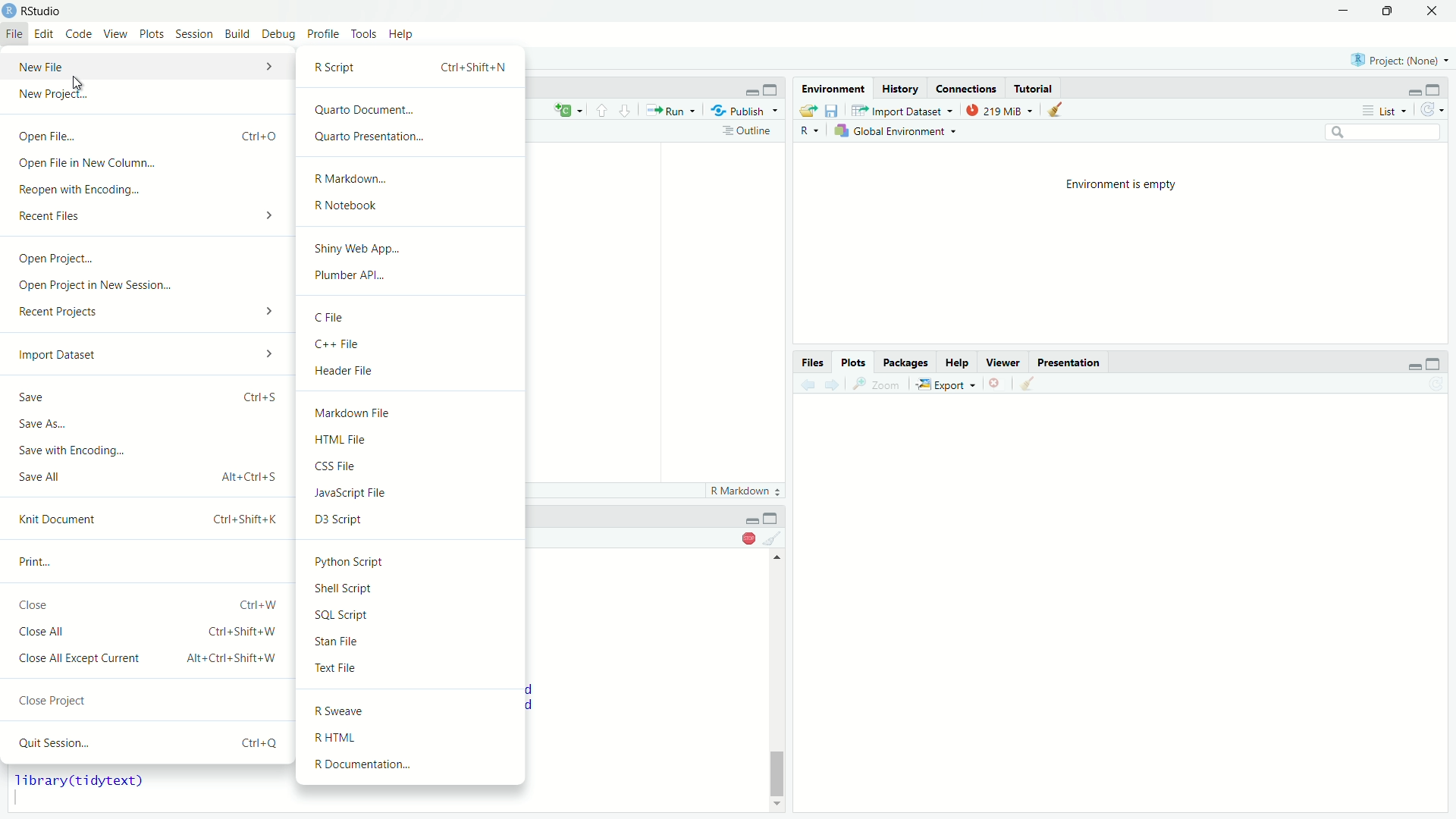  Describe the element at coordinates (143, 449) in the screenshot. I see `Save with Encoding.` at that location.